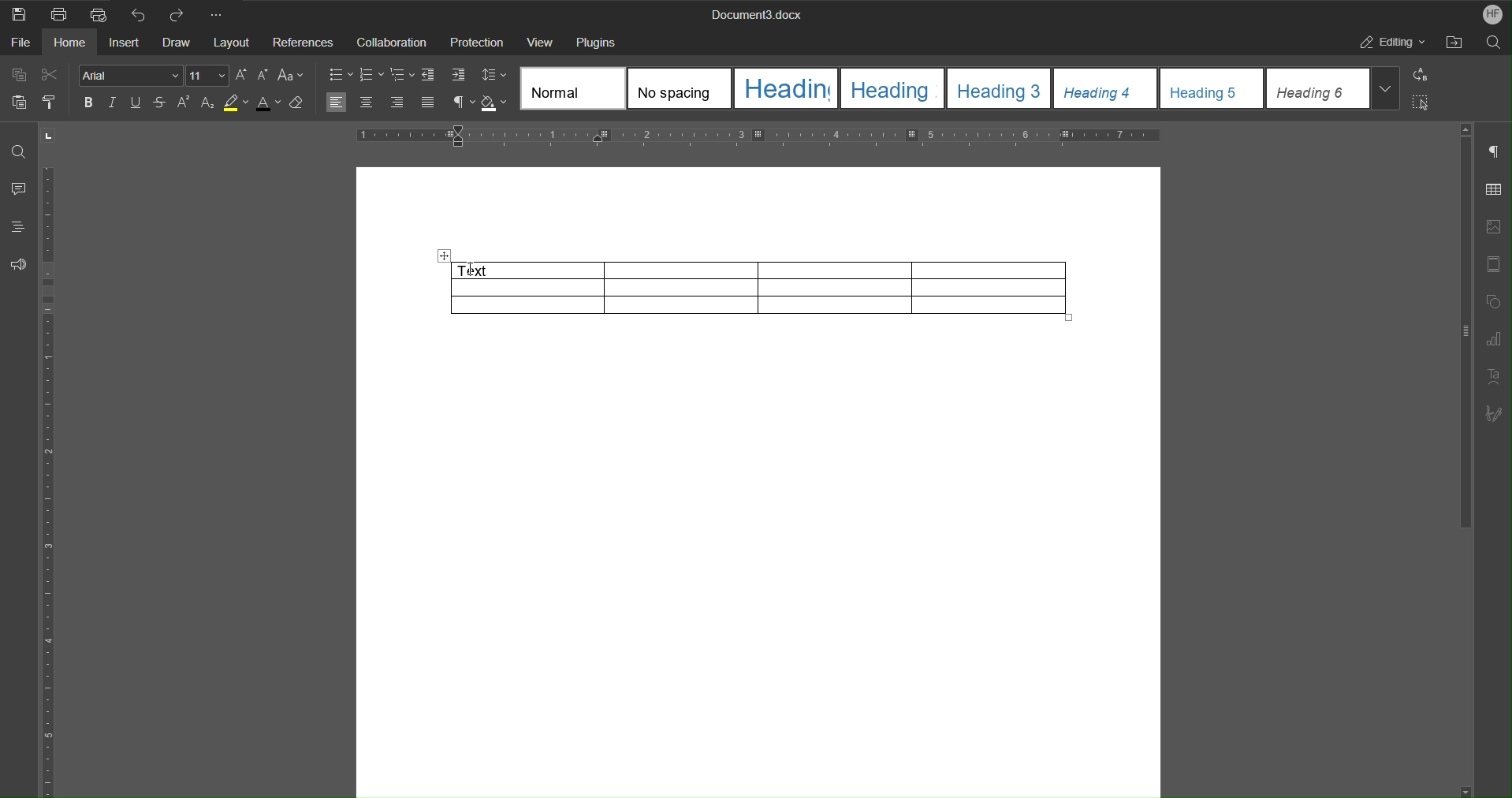 This screenshot has width=1512, height=798. What do you see at coordinates (1495, 226) in the screenshot?
I see `Image Settings` at bounding box center [1495, 226].